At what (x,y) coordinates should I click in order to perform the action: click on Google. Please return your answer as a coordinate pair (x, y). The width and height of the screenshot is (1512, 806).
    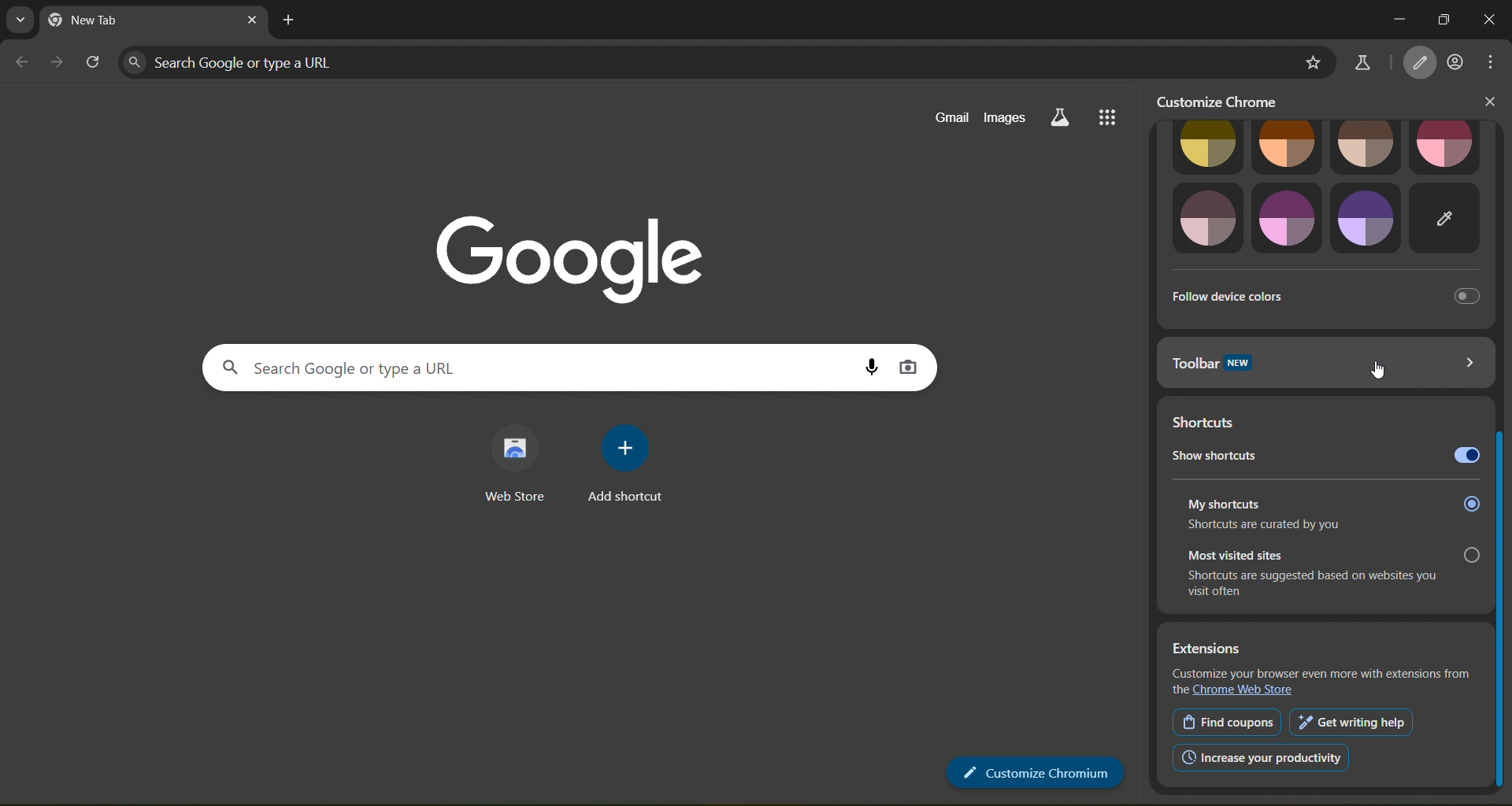
    Looking at the image, I should click on (563, 246).